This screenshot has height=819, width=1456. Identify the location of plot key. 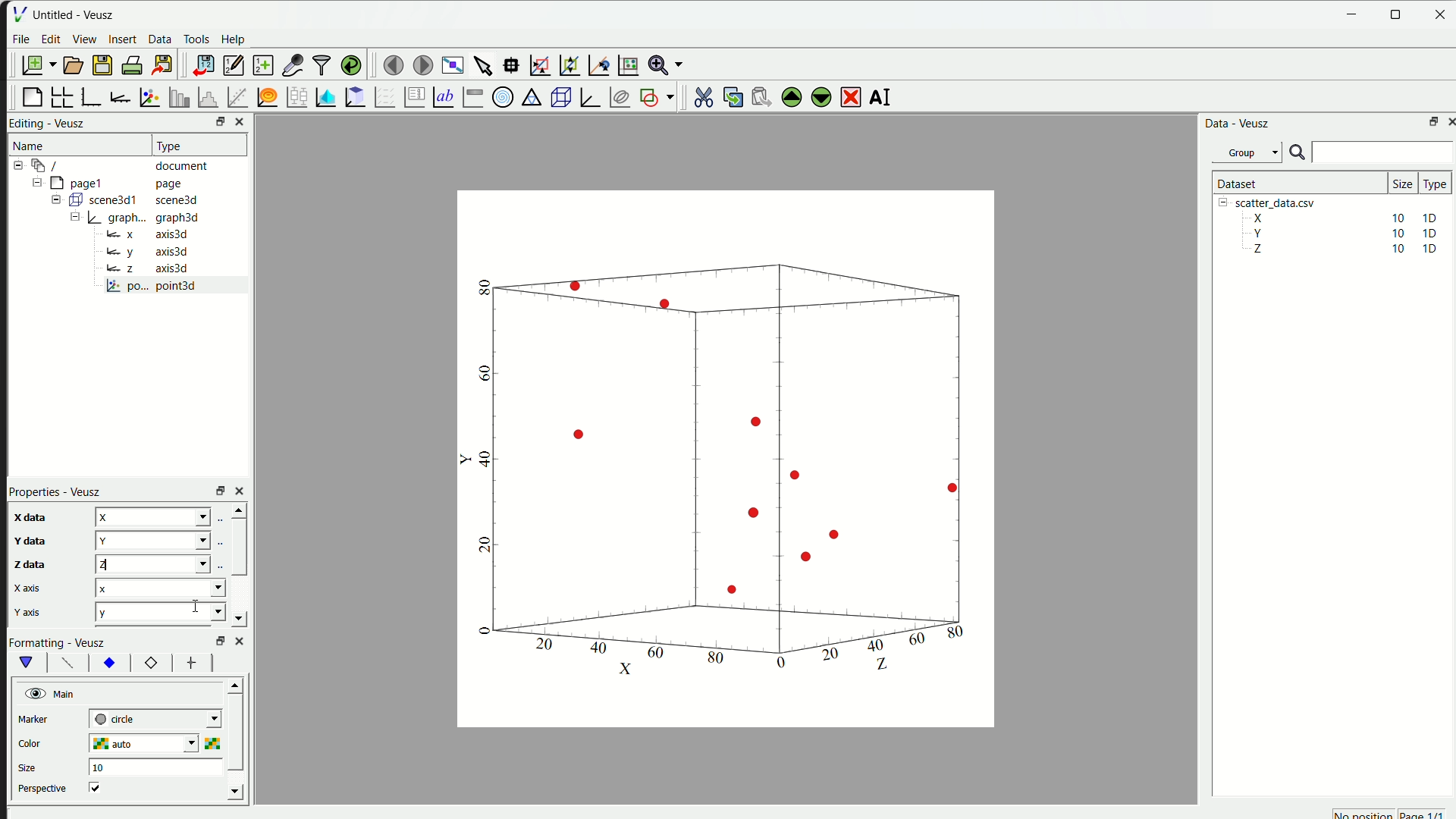
(411, 98).